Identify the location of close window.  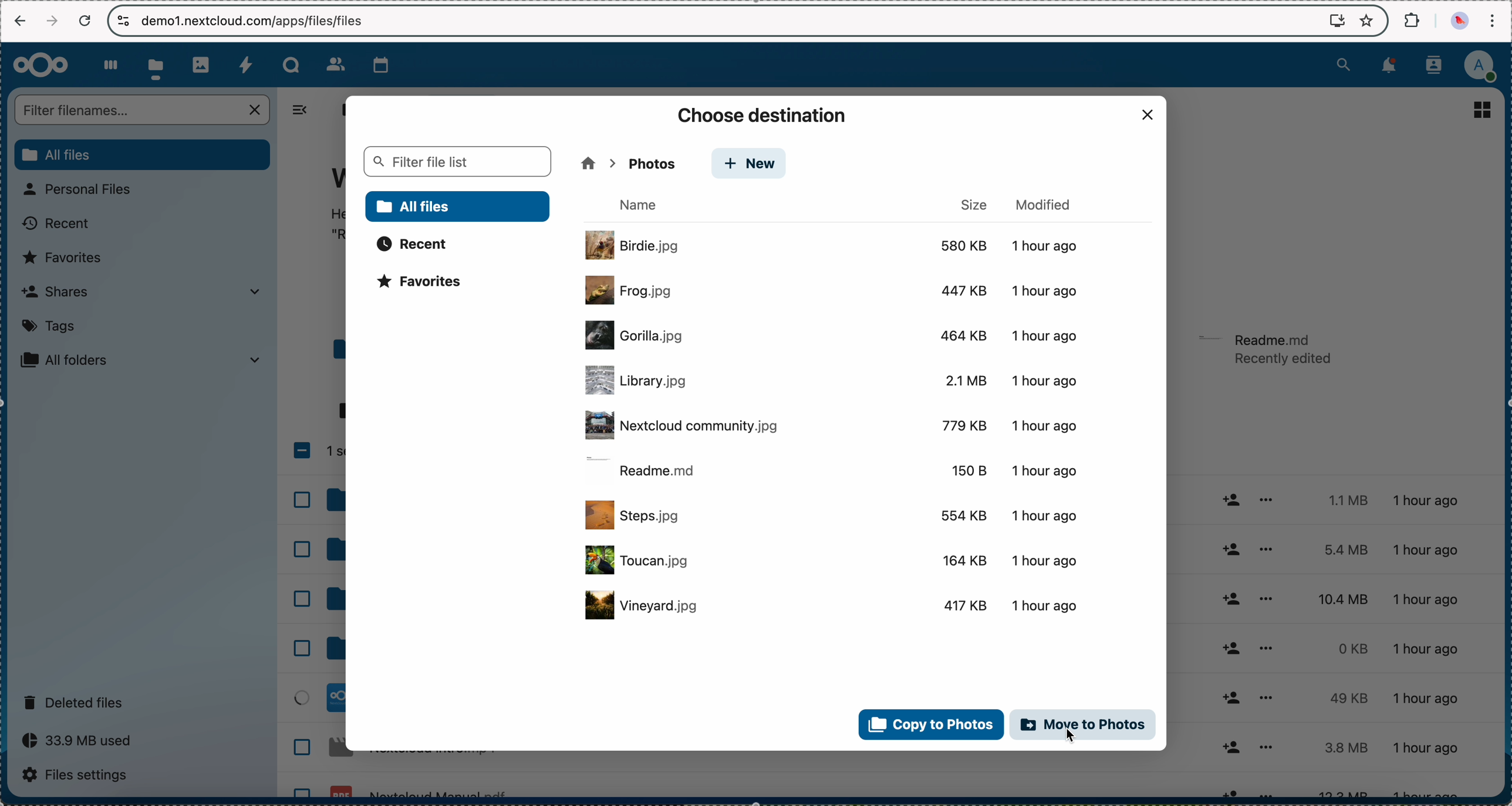
(1148, 116).